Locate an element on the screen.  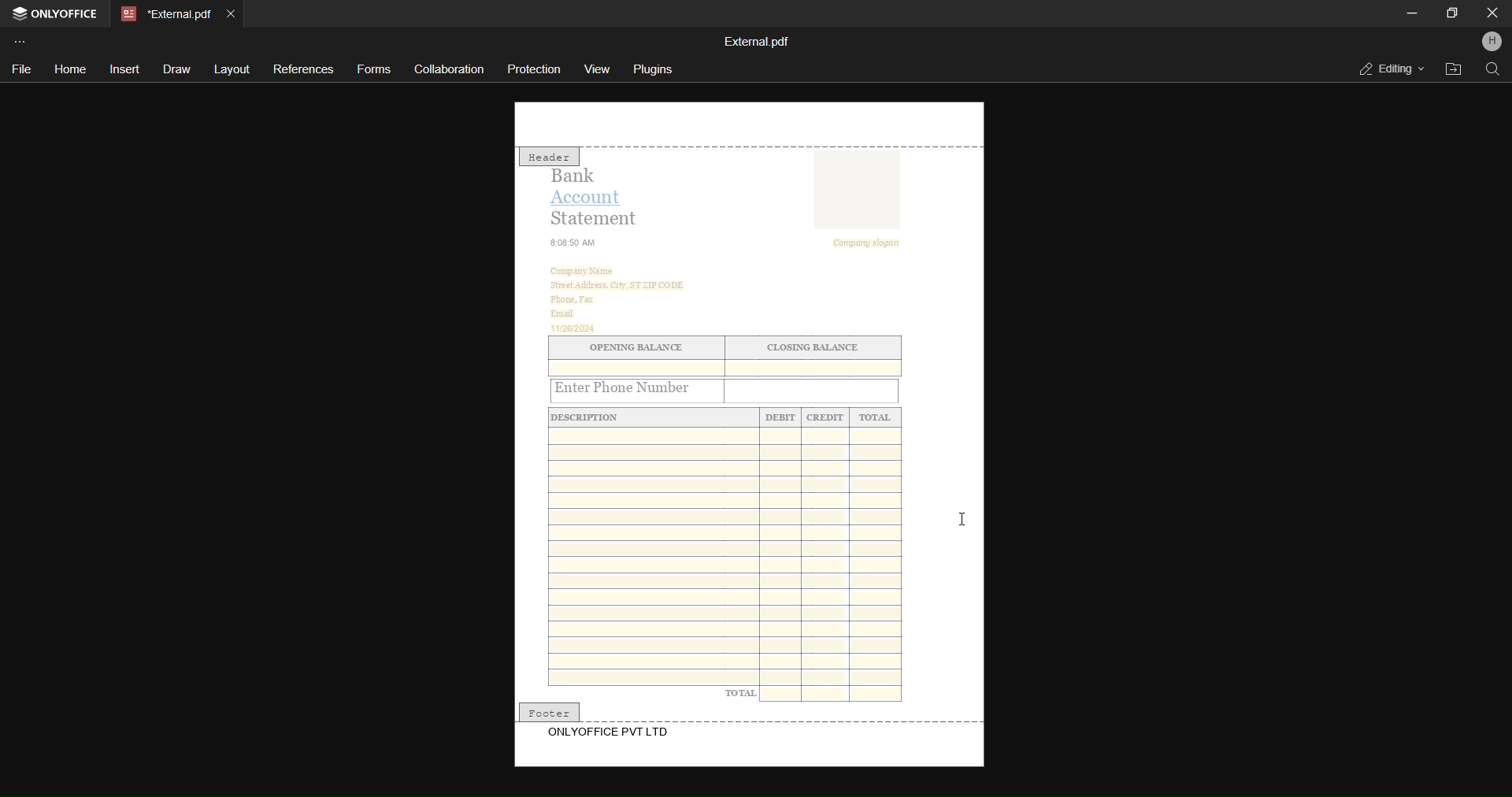
I cursor is located at coordinates (962, 519).